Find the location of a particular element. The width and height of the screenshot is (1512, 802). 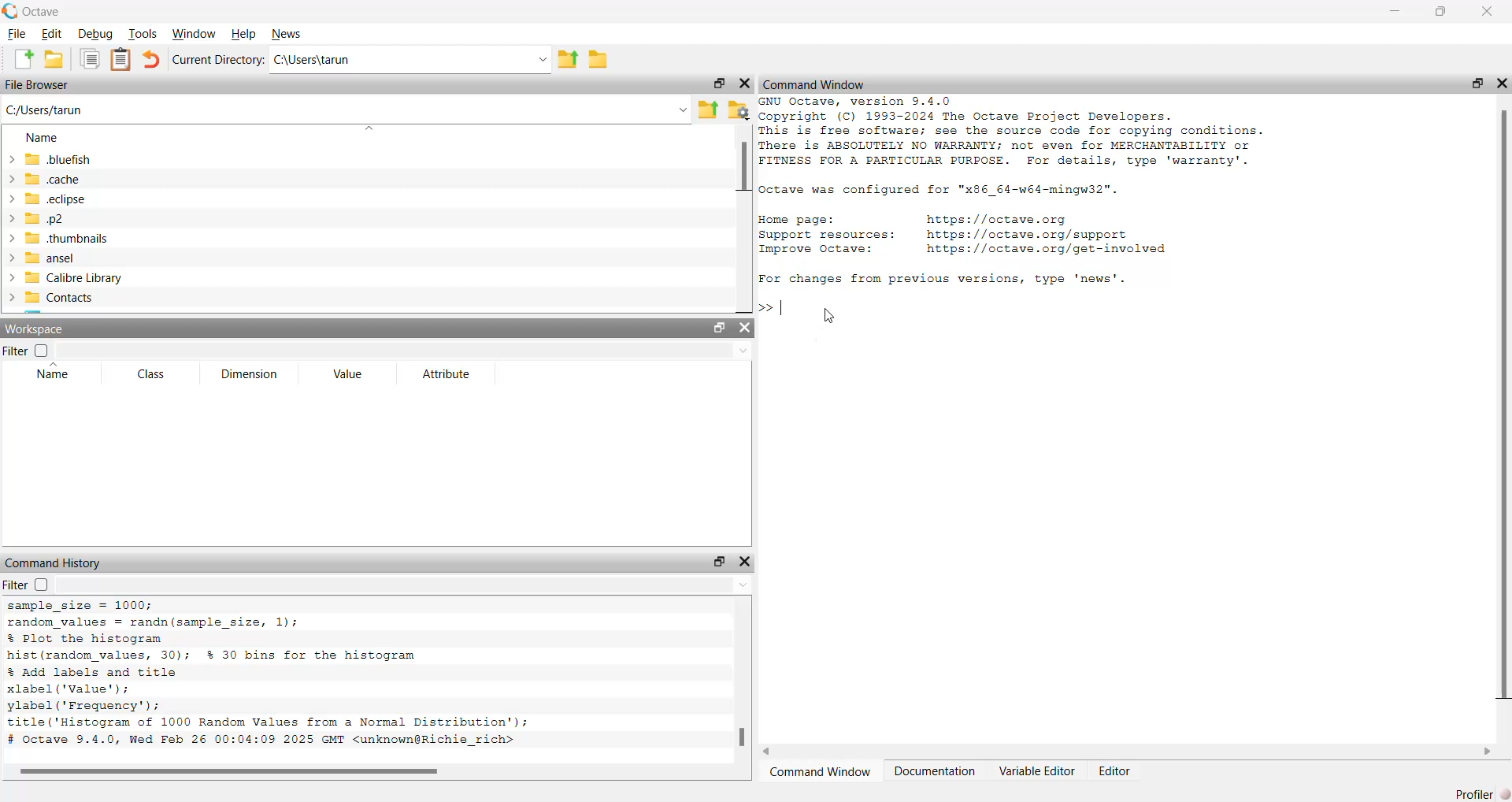

New folder is located at coordinates (54, 59).